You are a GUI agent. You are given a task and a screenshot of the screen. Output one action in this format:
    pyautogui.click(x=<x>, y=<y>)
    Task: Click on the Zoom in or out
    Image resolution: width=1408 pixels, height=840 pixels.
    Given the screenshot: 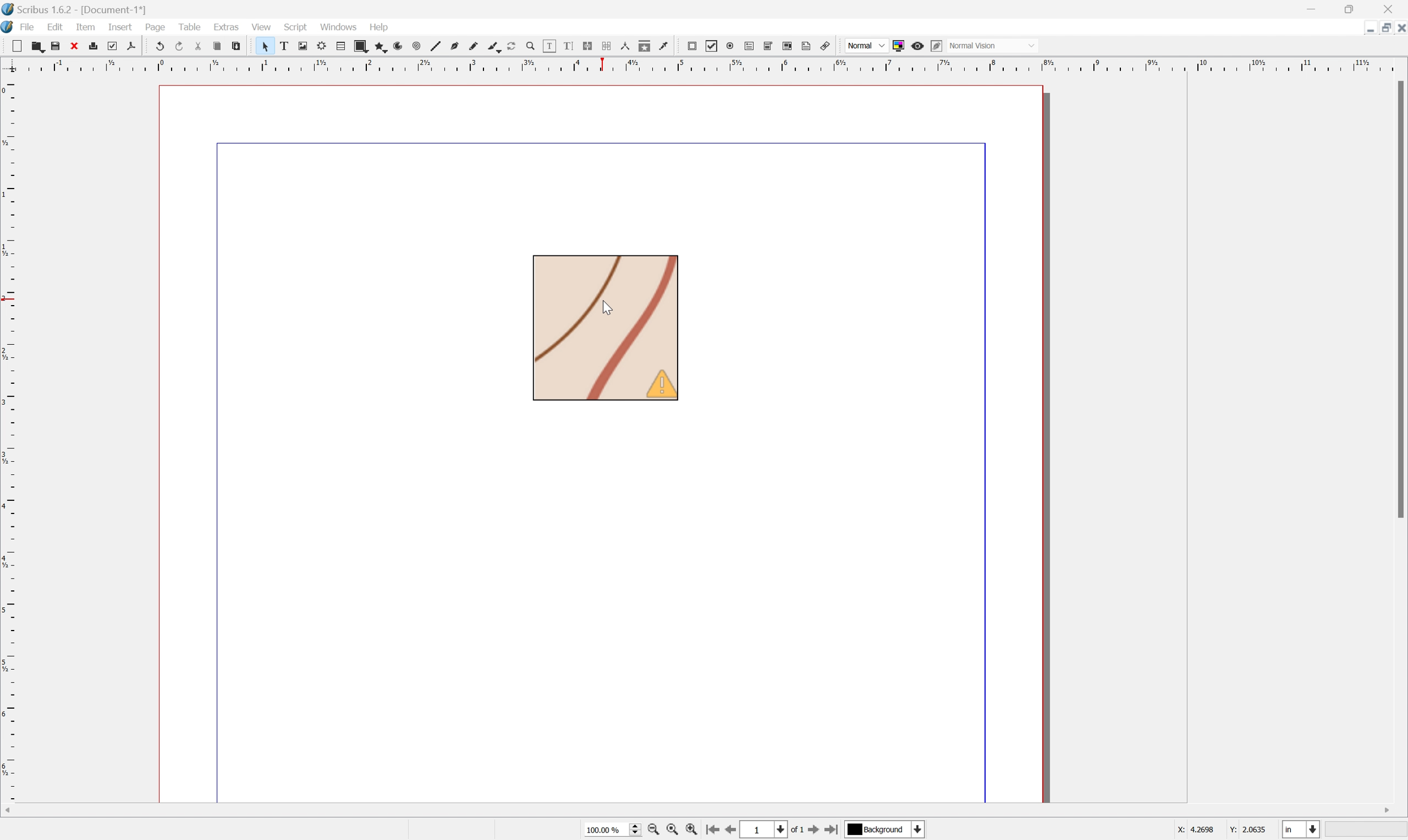 What is the action you would take?
    pyautogui.click(x=536, y=48)
    